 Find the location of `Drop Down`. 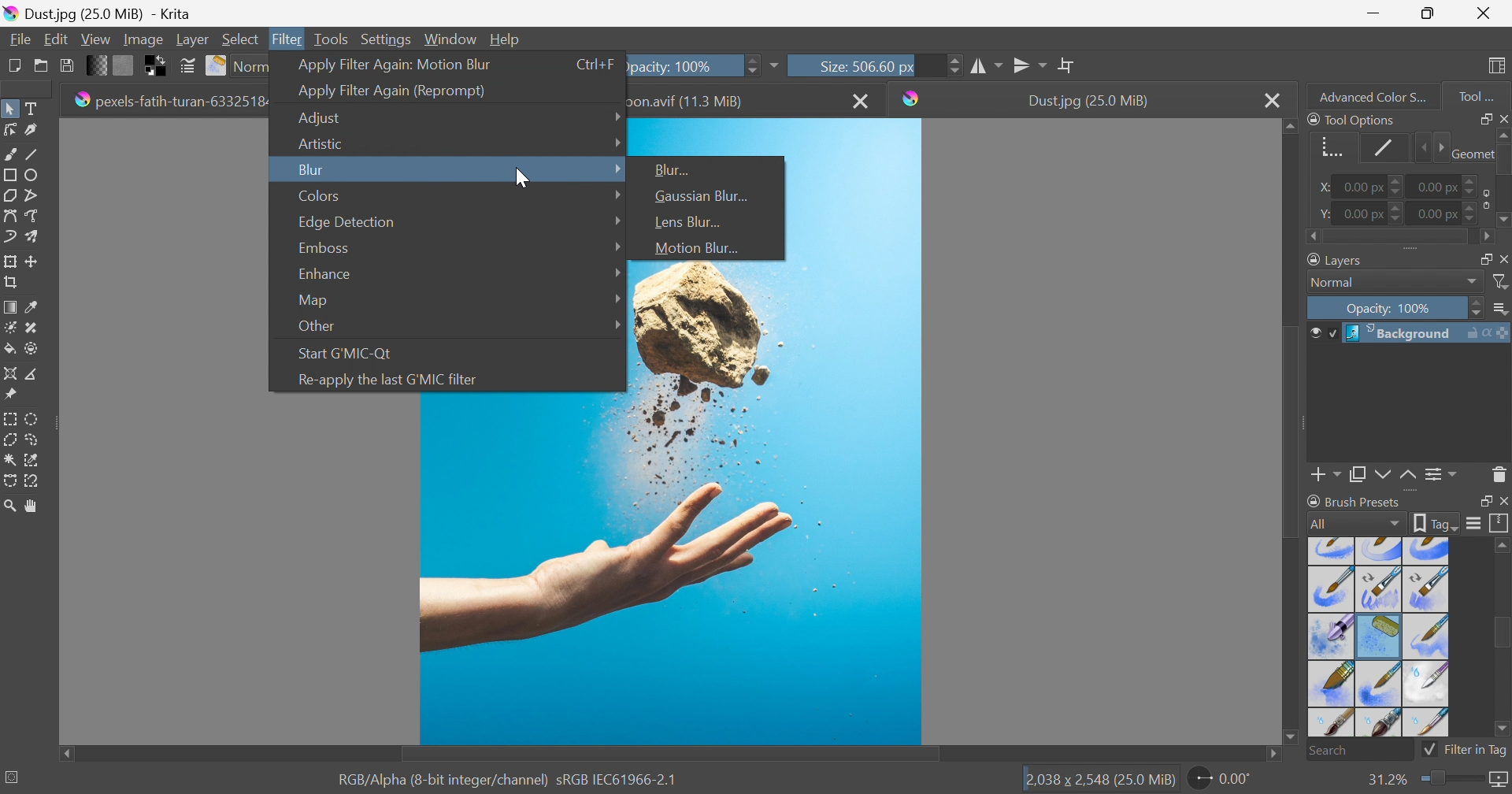

Drop Down is located at coordinates (618, 247).